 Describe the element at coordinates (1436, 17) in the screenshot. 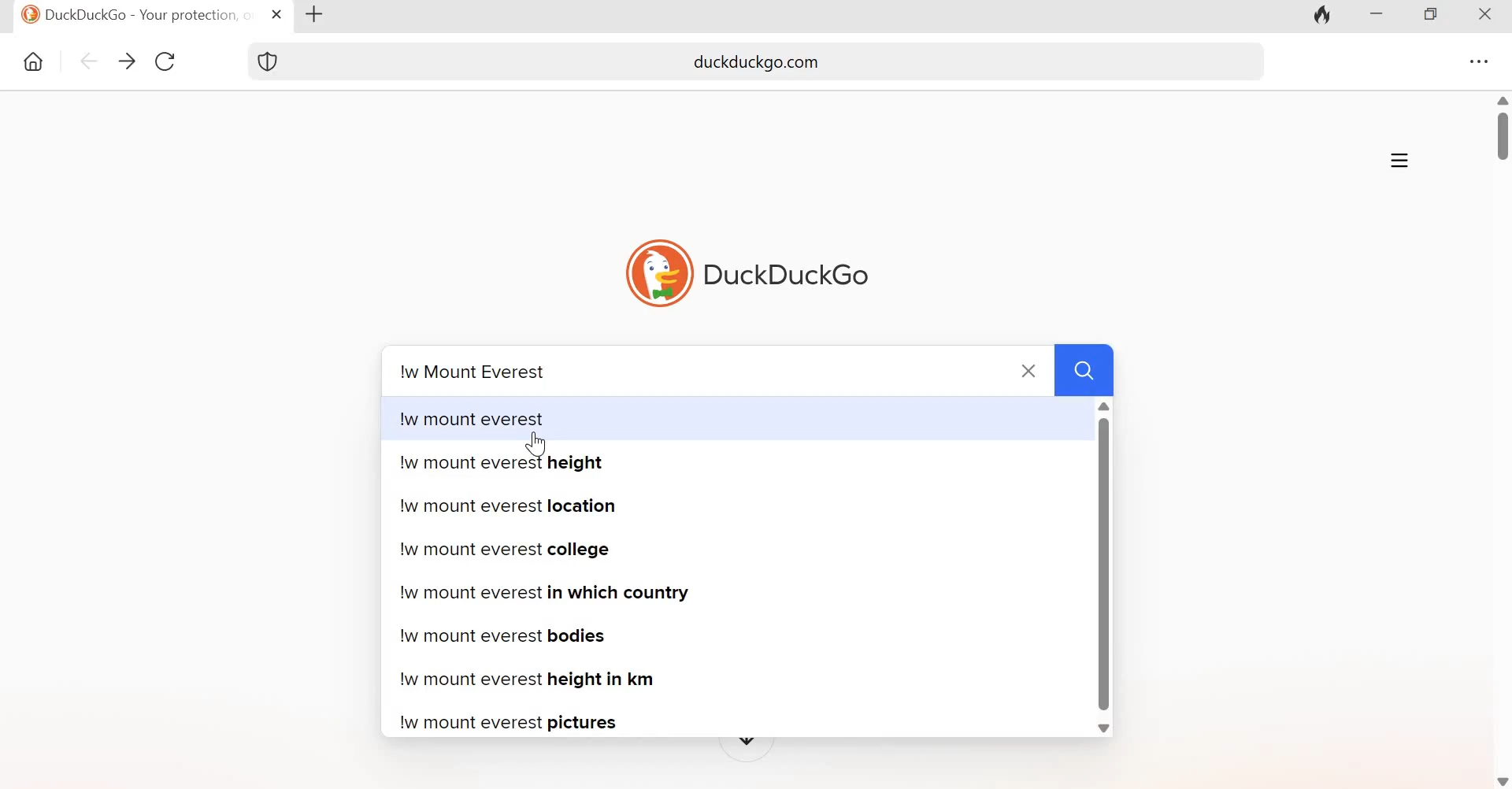

I see `Maximize` at that location.